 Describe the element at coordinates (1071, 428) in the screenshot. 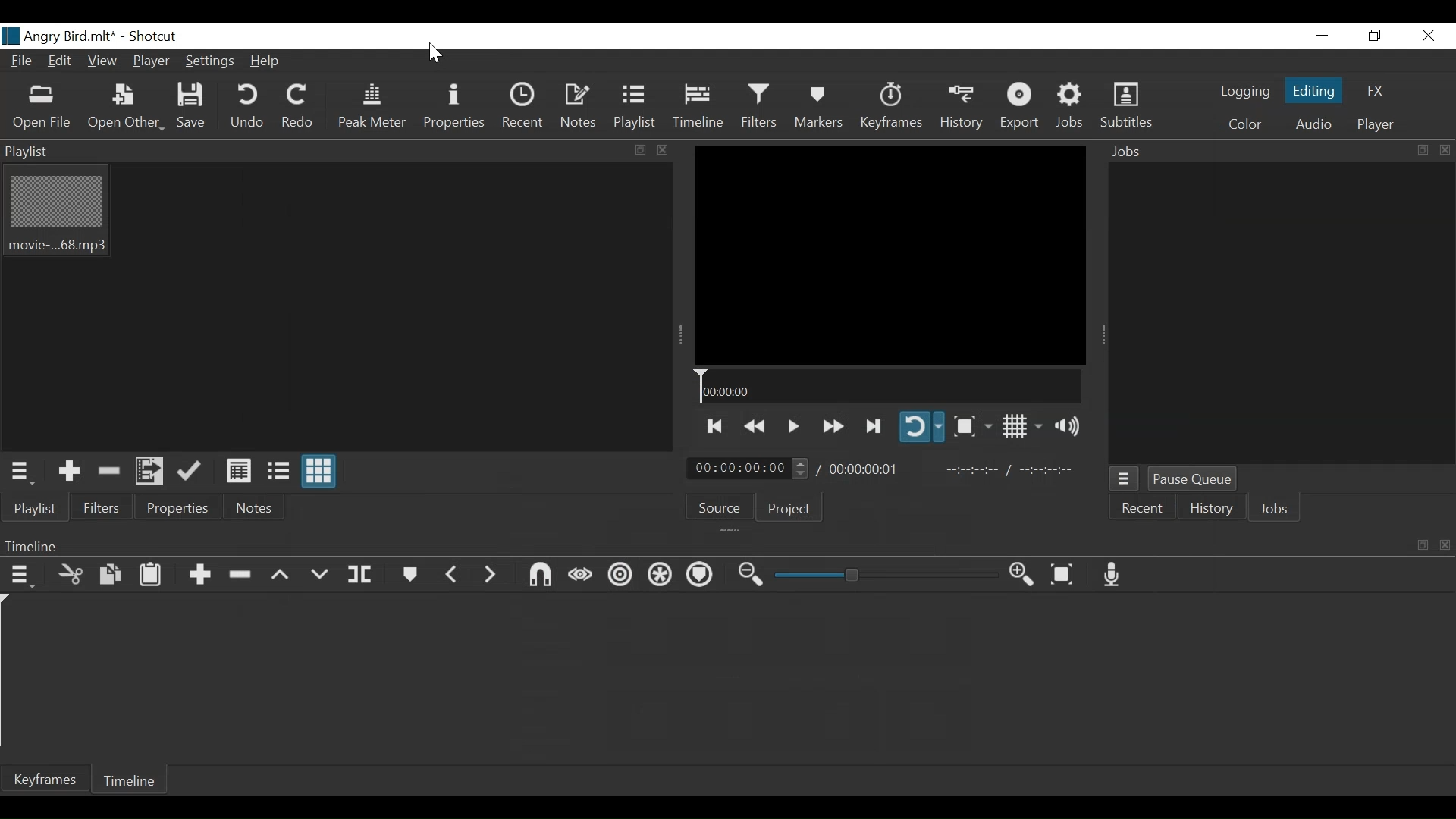

I see `Show volume control` at that location.